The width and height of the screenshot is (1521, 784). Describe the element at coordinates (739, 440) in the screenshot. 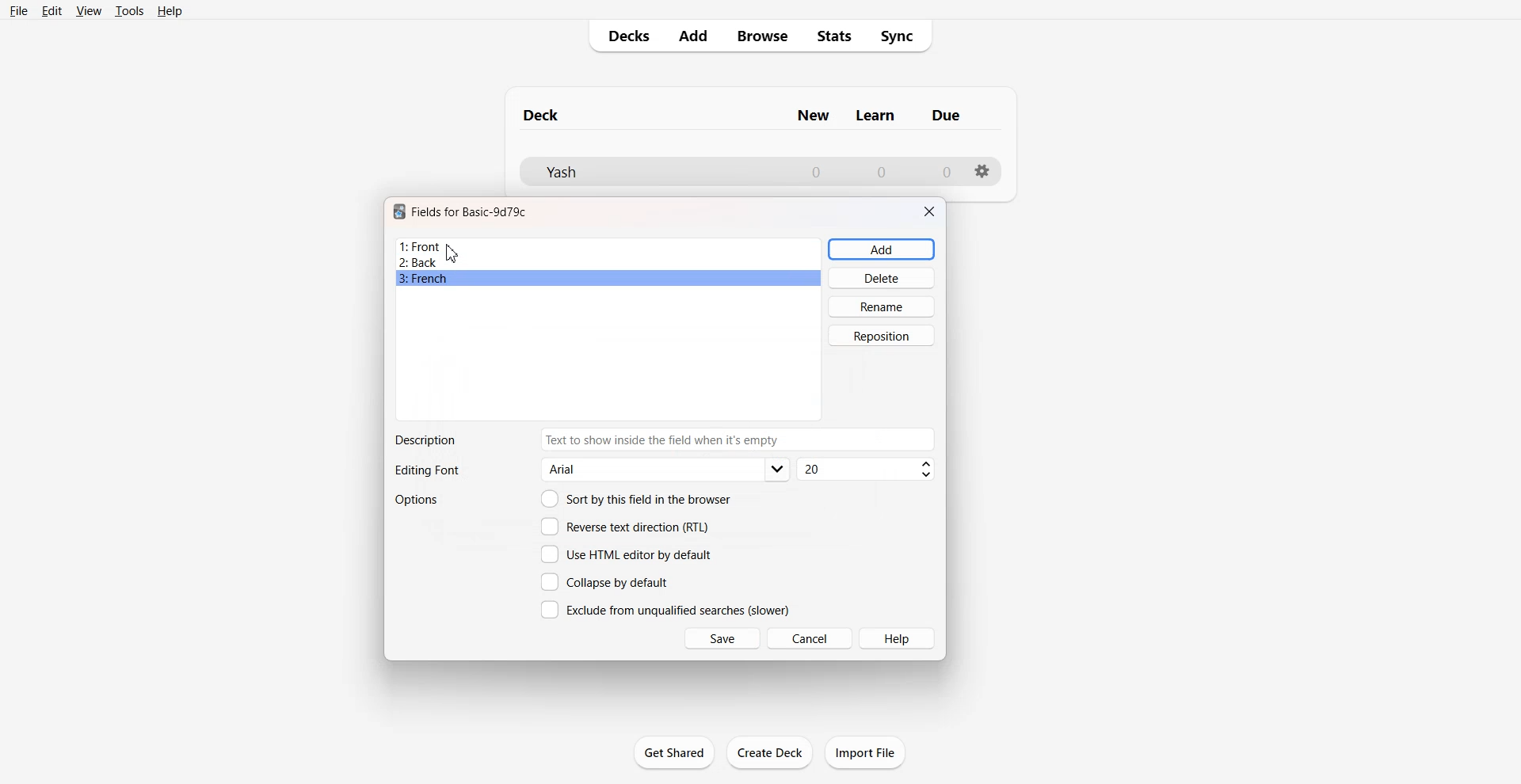

I see `Enter Description` at that location.